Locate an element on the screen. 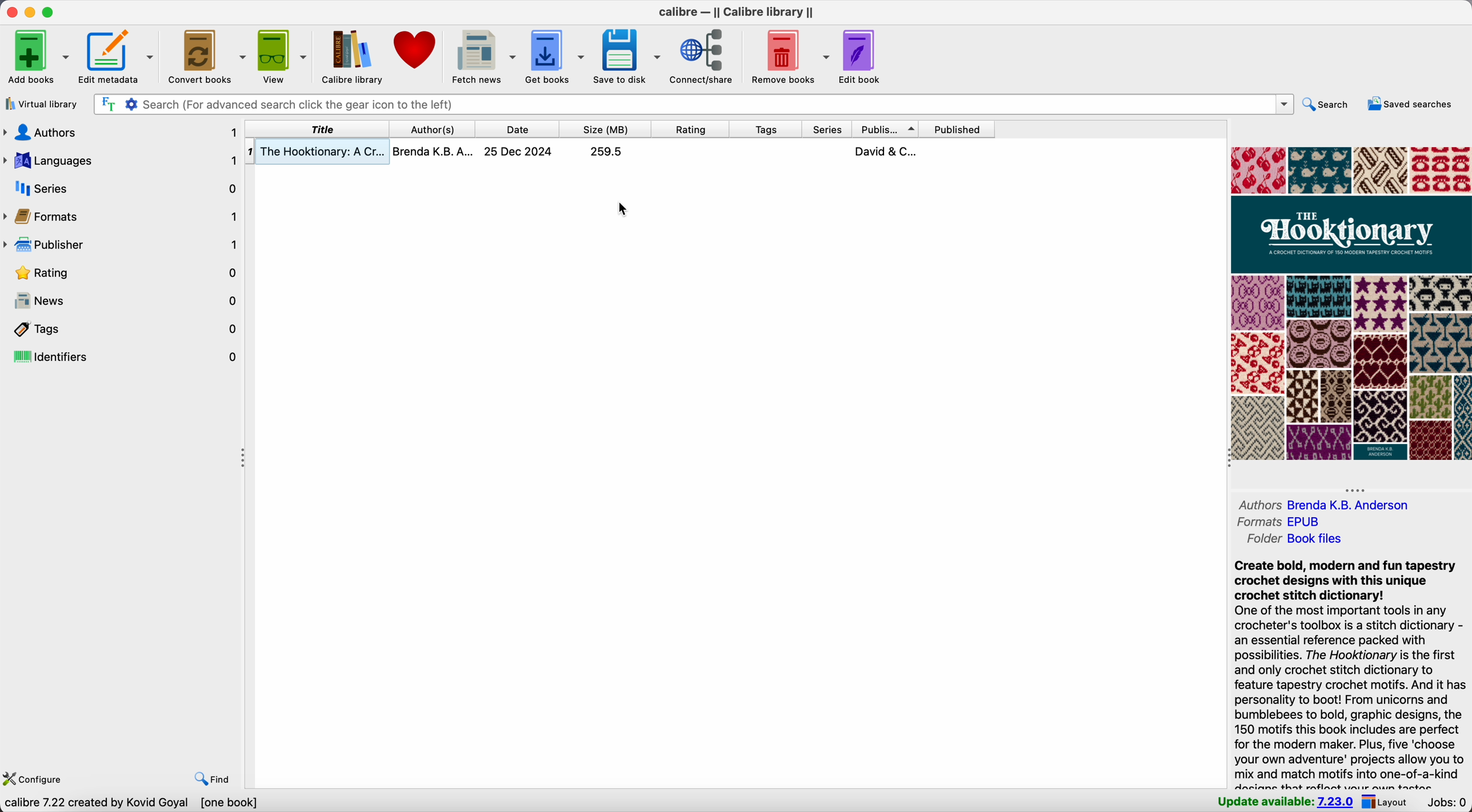 This screenshot has height=812, width=1472. tags is located at coordinates (127, 330).